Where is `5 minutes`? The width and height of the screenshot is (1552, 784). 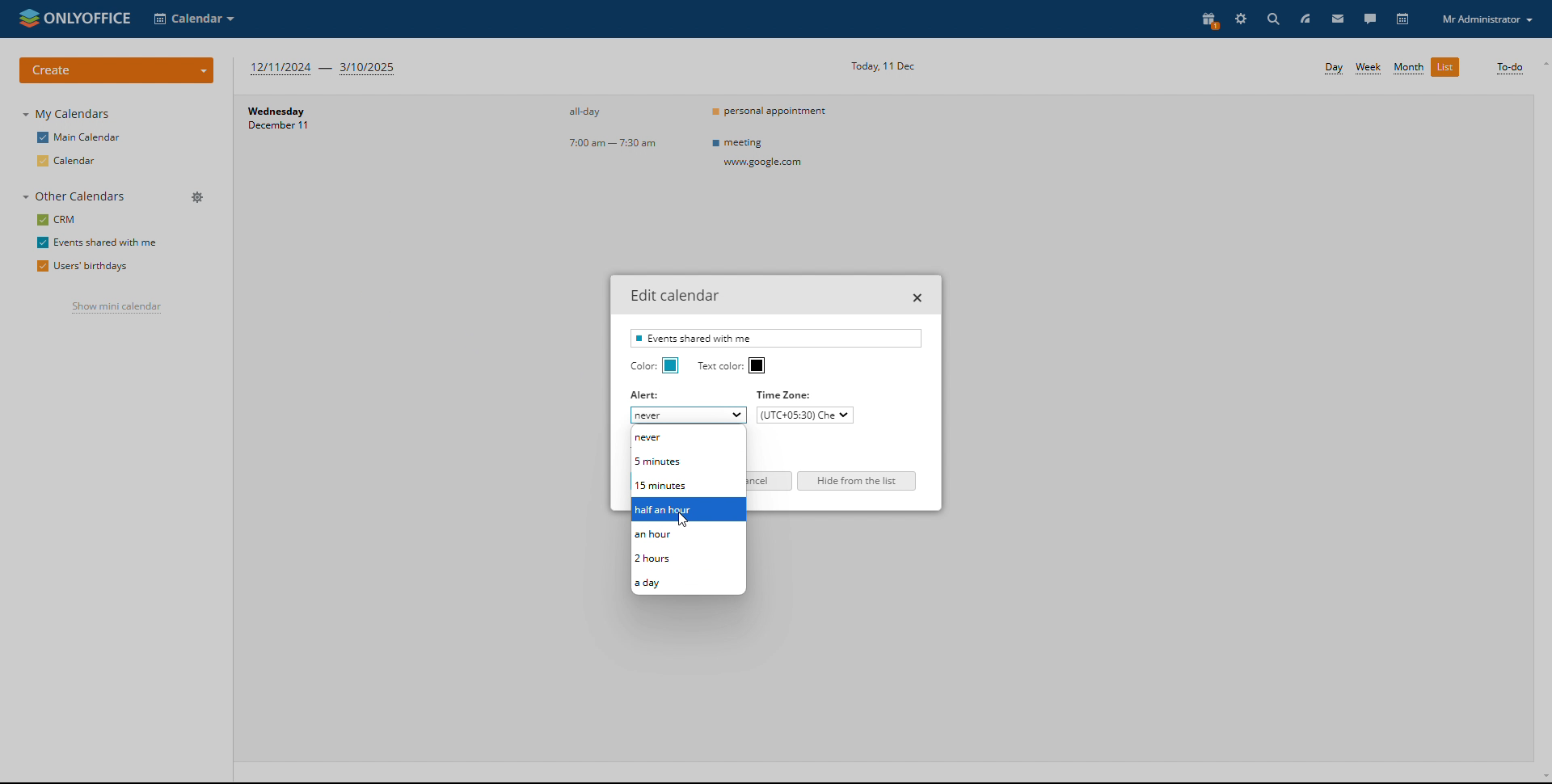 5 minutes is located at coordinates (688, 462).